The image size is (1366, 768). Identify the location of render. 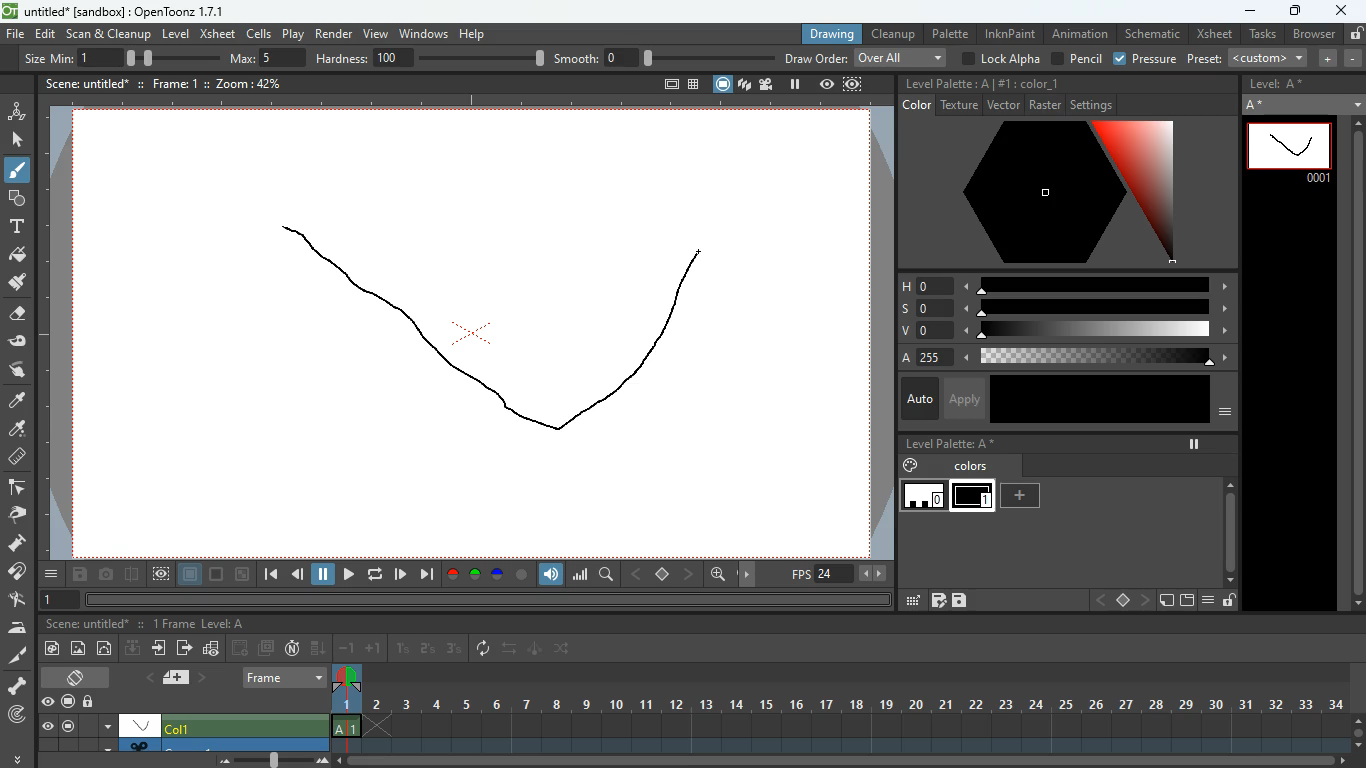
(335, 32).